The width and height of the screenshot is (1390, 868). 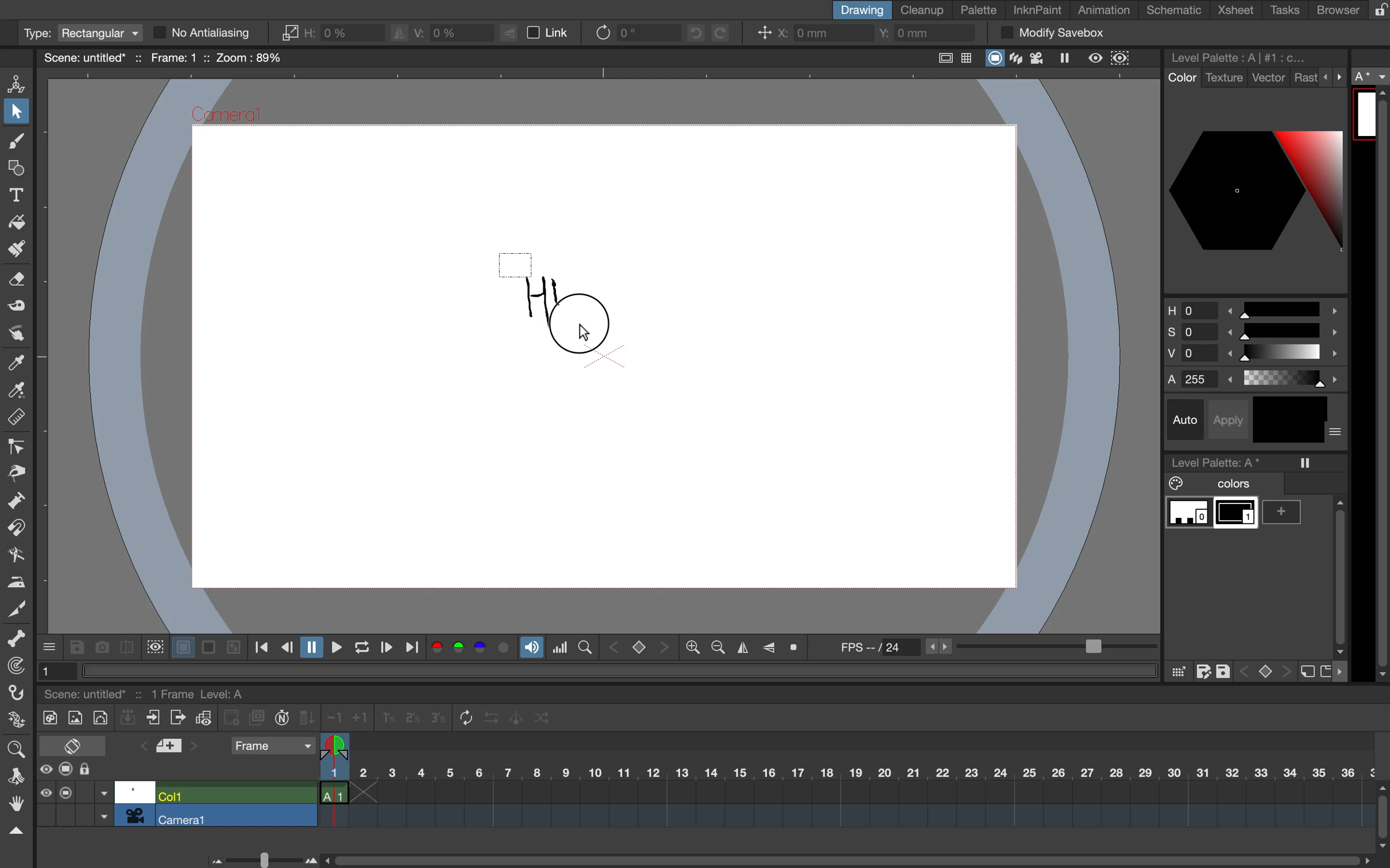 What do you see at coordinates (16, 334) in the screenshot?
I see `finger tool` at bounding box center [16, 334].